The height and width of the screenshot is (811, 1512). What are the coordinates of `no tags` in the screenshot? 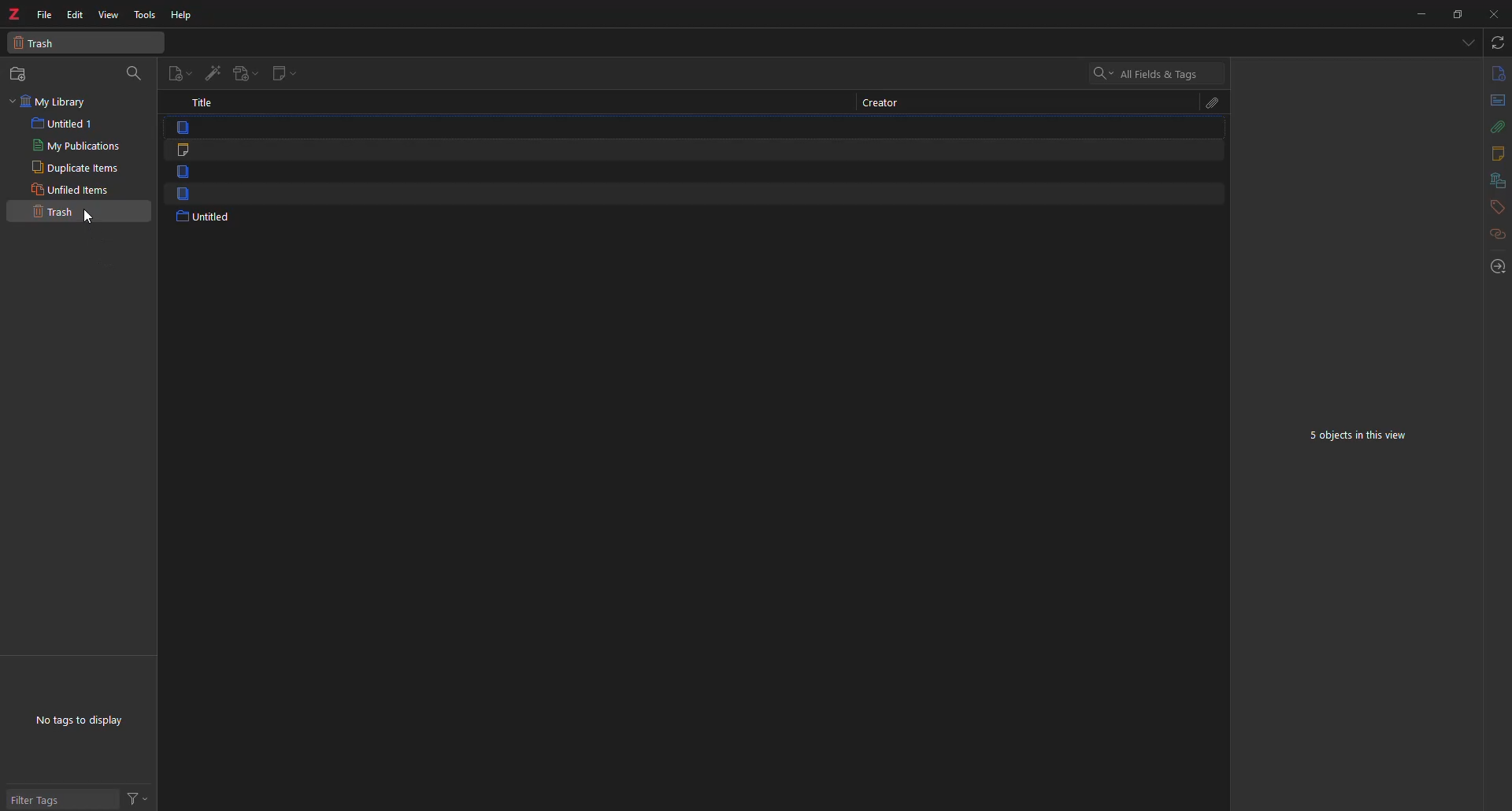 It's located at (83, 724).